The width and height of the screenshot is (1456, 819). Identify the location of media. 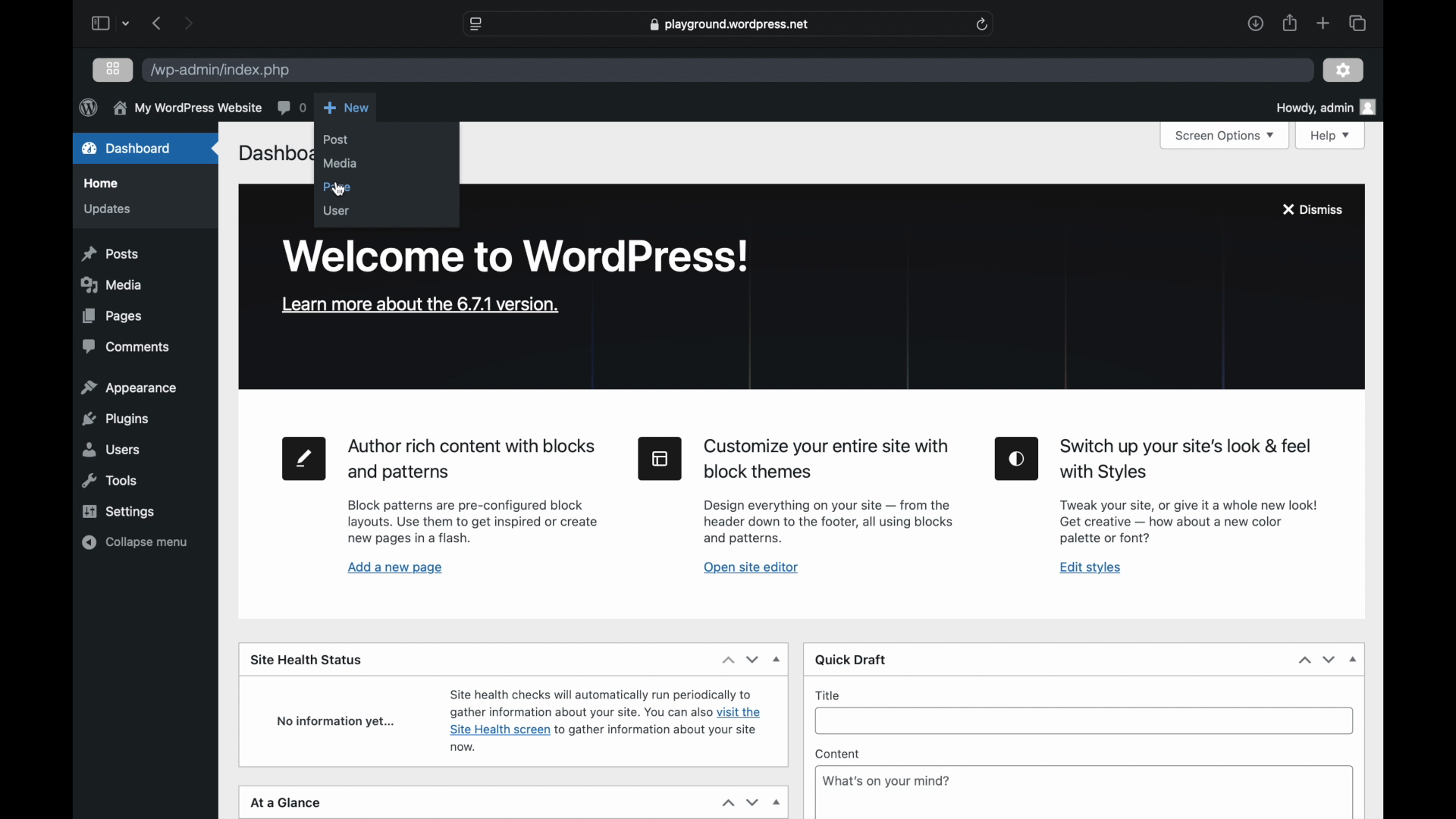
(340, 165).